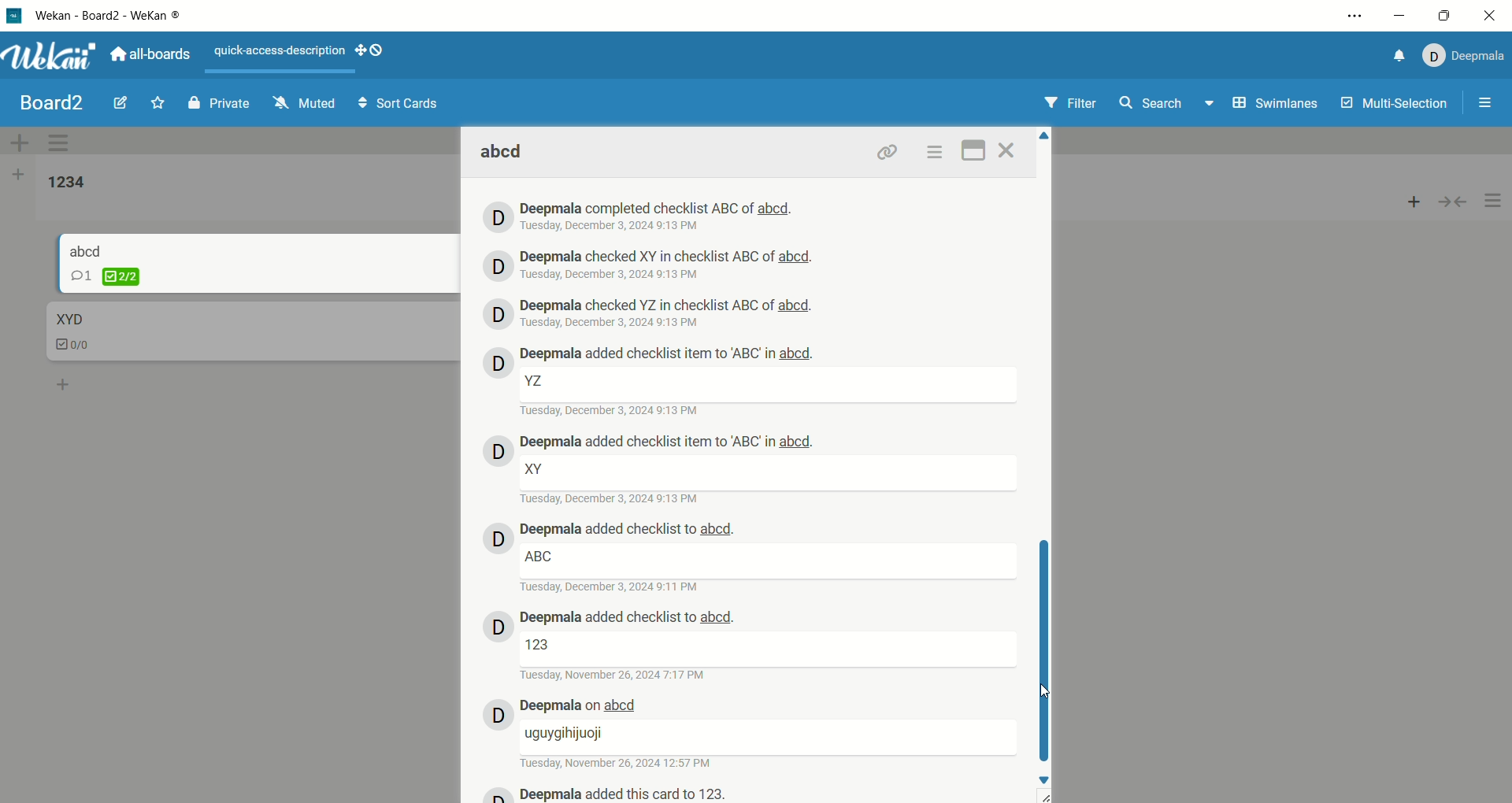 The image size is (1512, 803). I want to click on card title, so click(68, 320).